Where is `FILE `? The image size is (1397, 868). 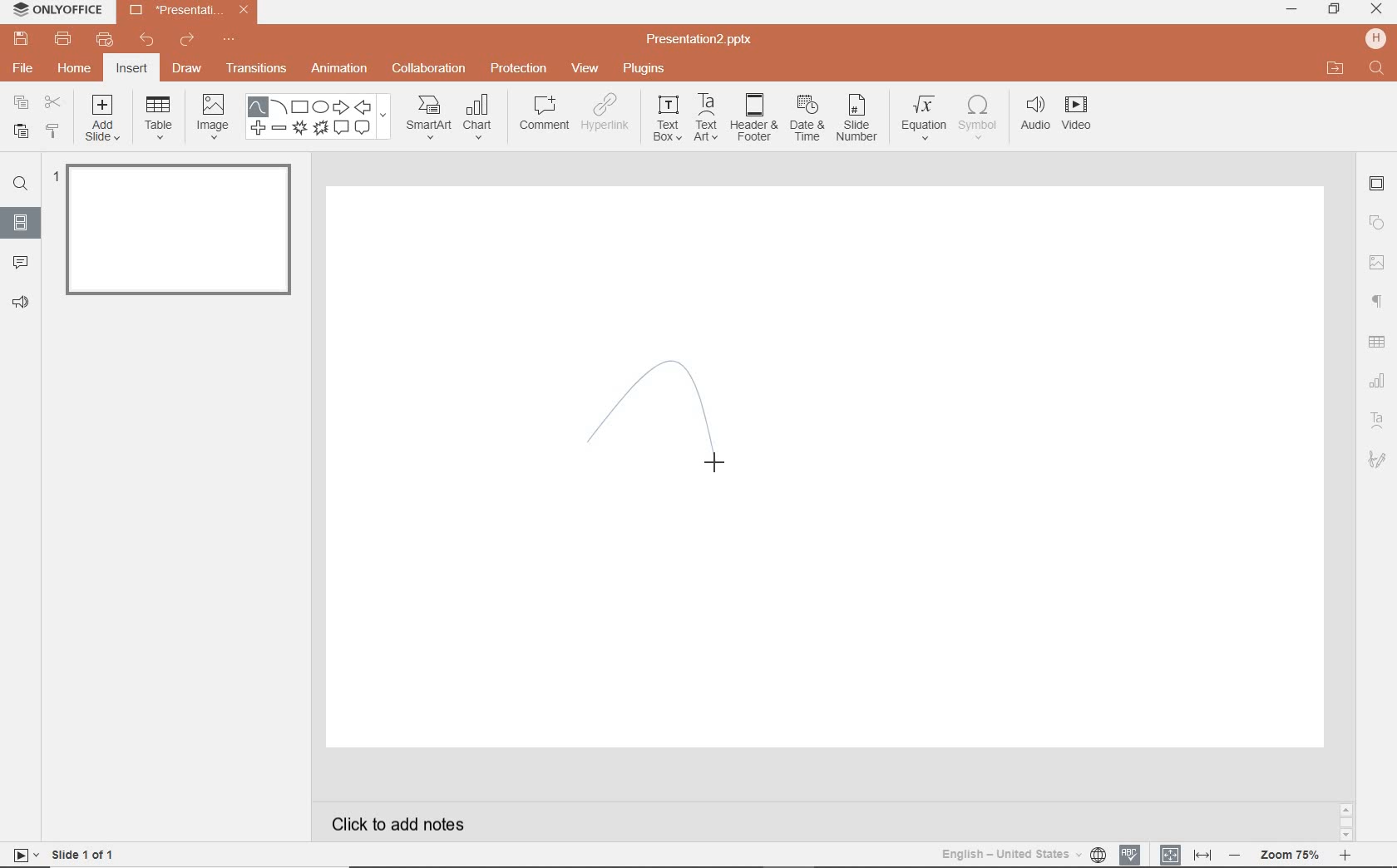 FILE  is located at coordinates (25, 70).